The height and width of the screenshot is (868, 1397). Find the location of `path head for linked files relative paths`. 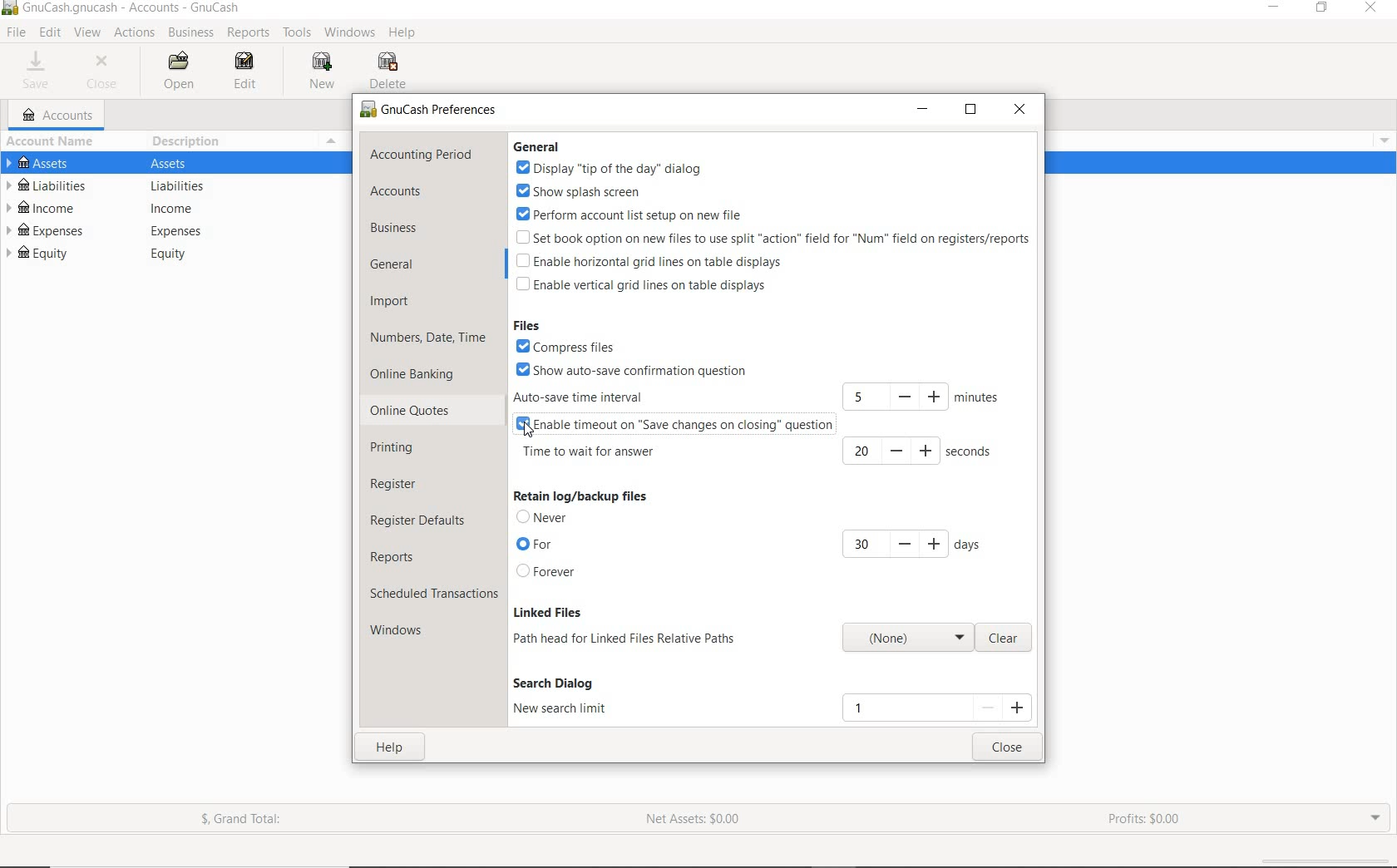

path head for linked files relative paths is located at coordinates (629, 638).